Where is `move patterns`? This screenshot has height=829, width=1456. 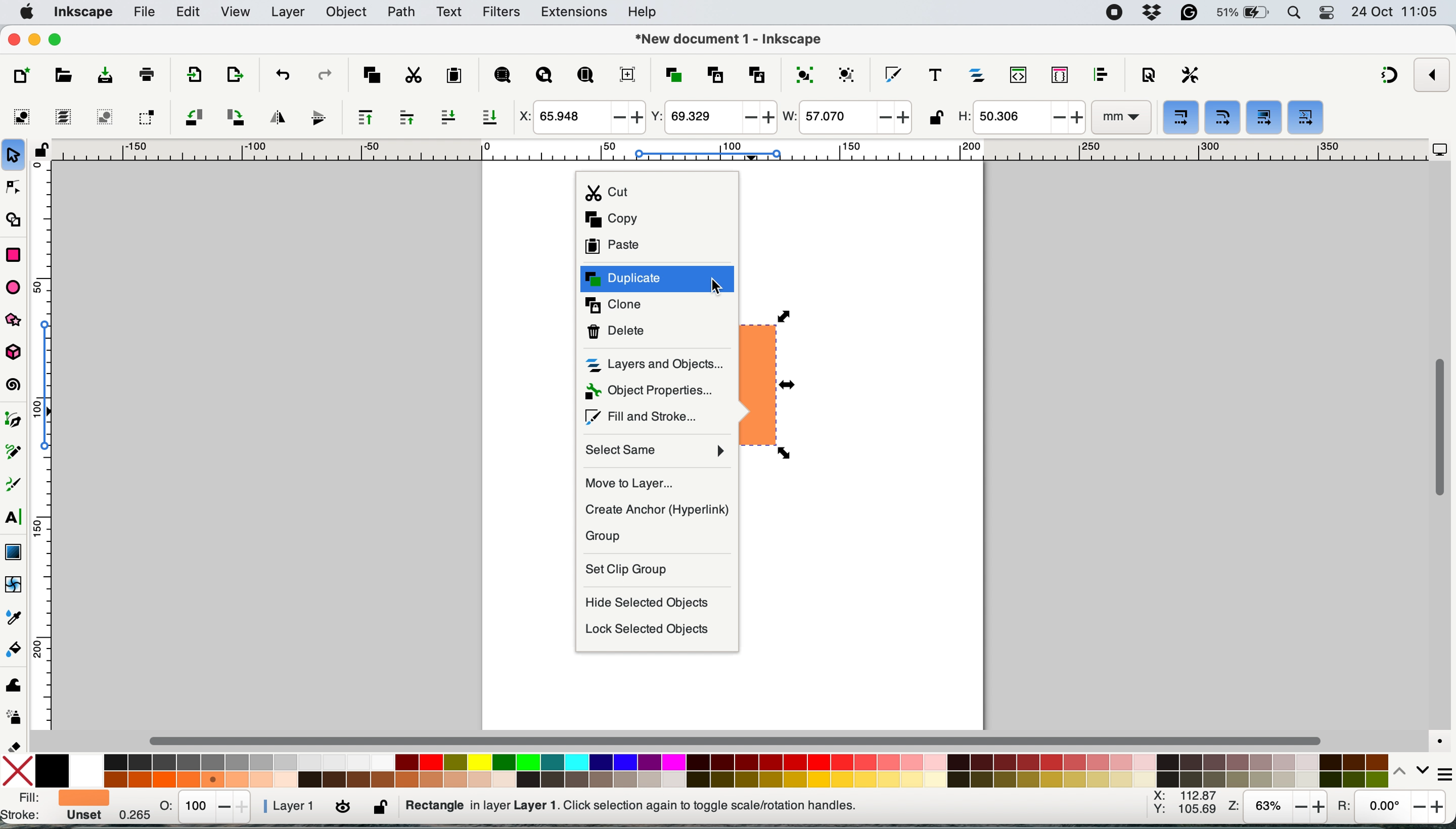
move patterns is located at coordinates (1305, 118).